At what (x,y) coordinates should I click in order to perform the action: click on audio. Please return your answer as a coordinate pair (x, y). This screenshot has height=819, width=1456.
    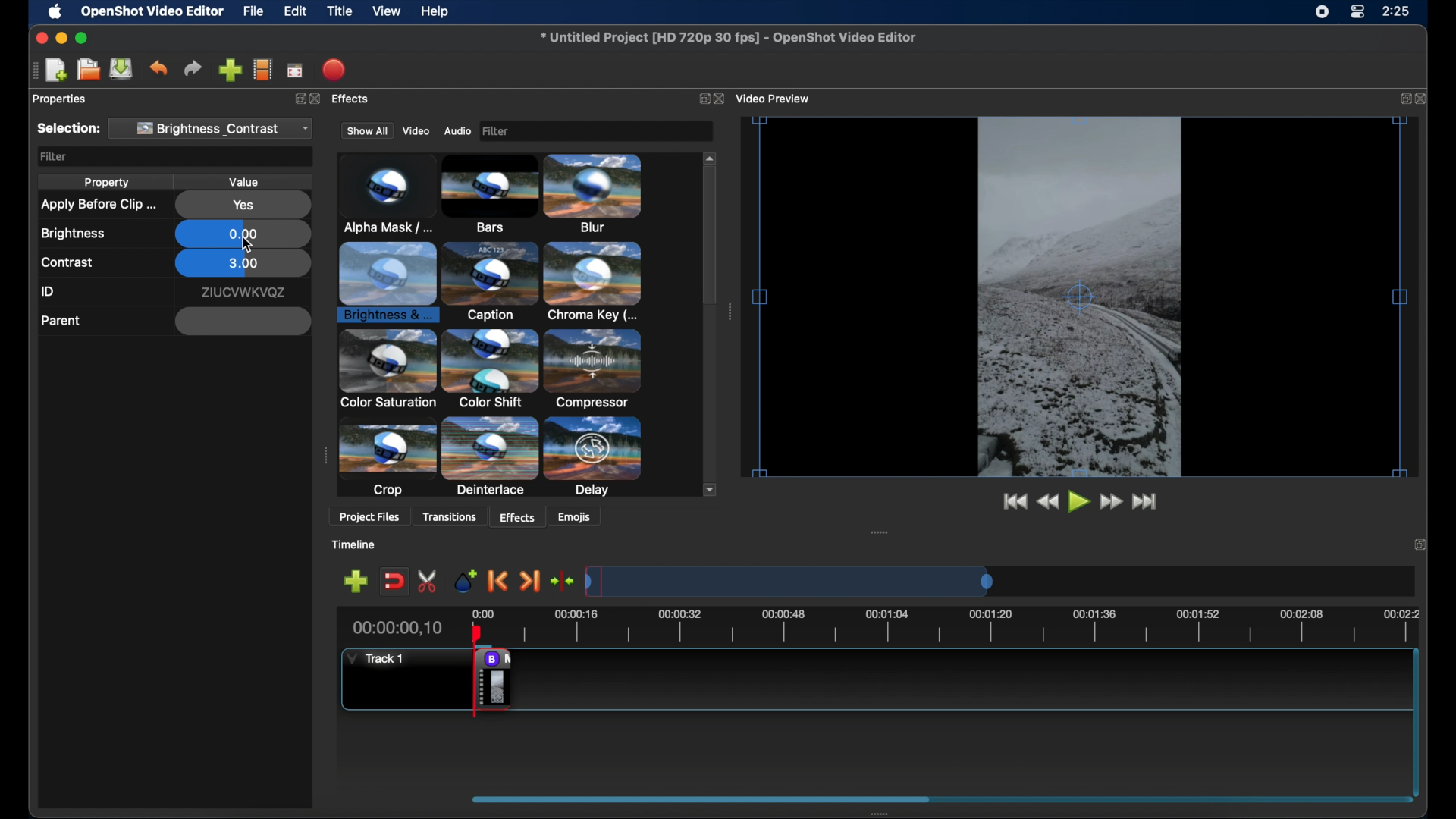
    Looking at the image, I should click on (458, 130).